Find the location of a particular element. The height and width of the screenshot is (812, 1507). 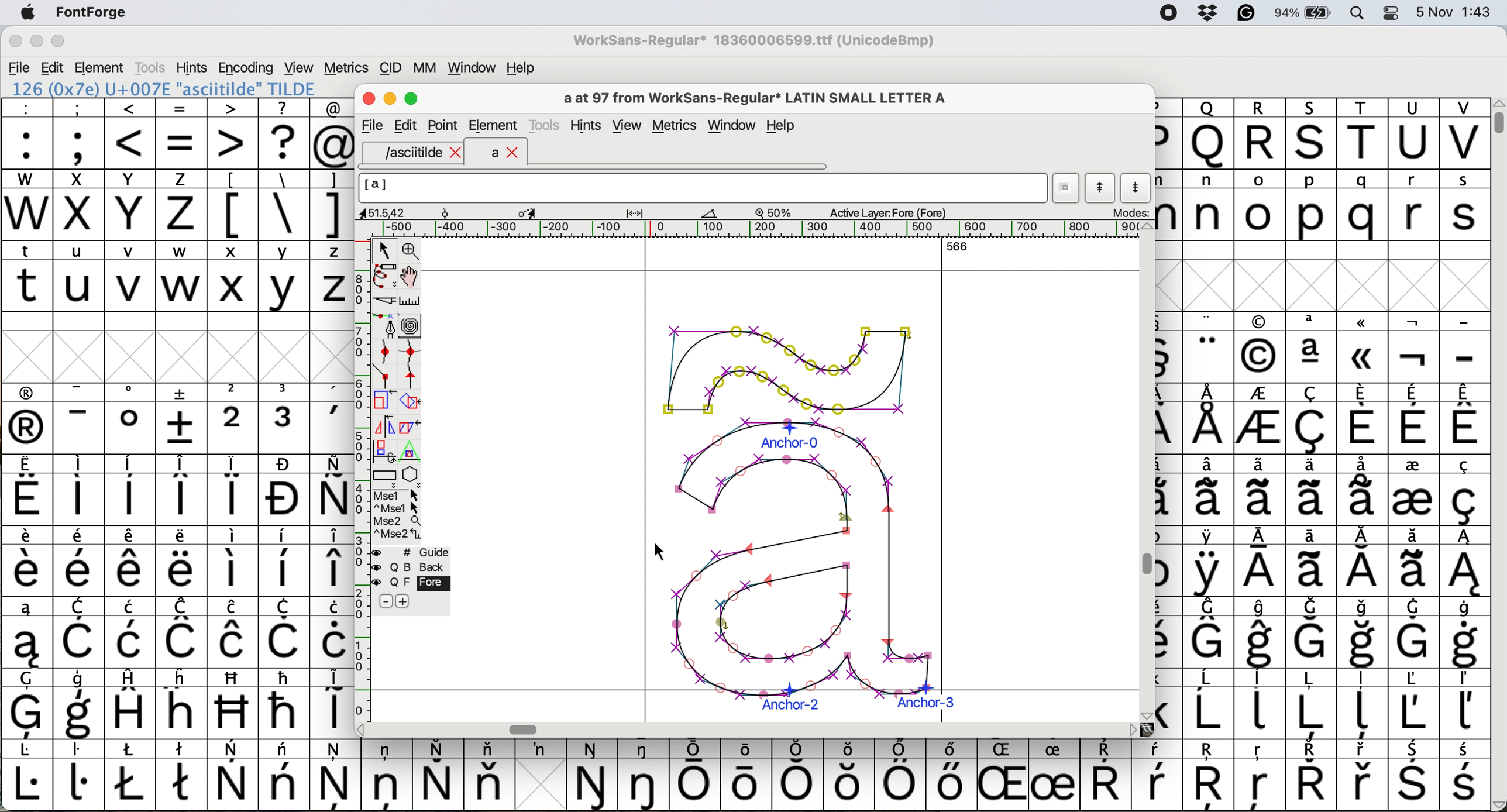

control center is located at coordinates (1395, 12).